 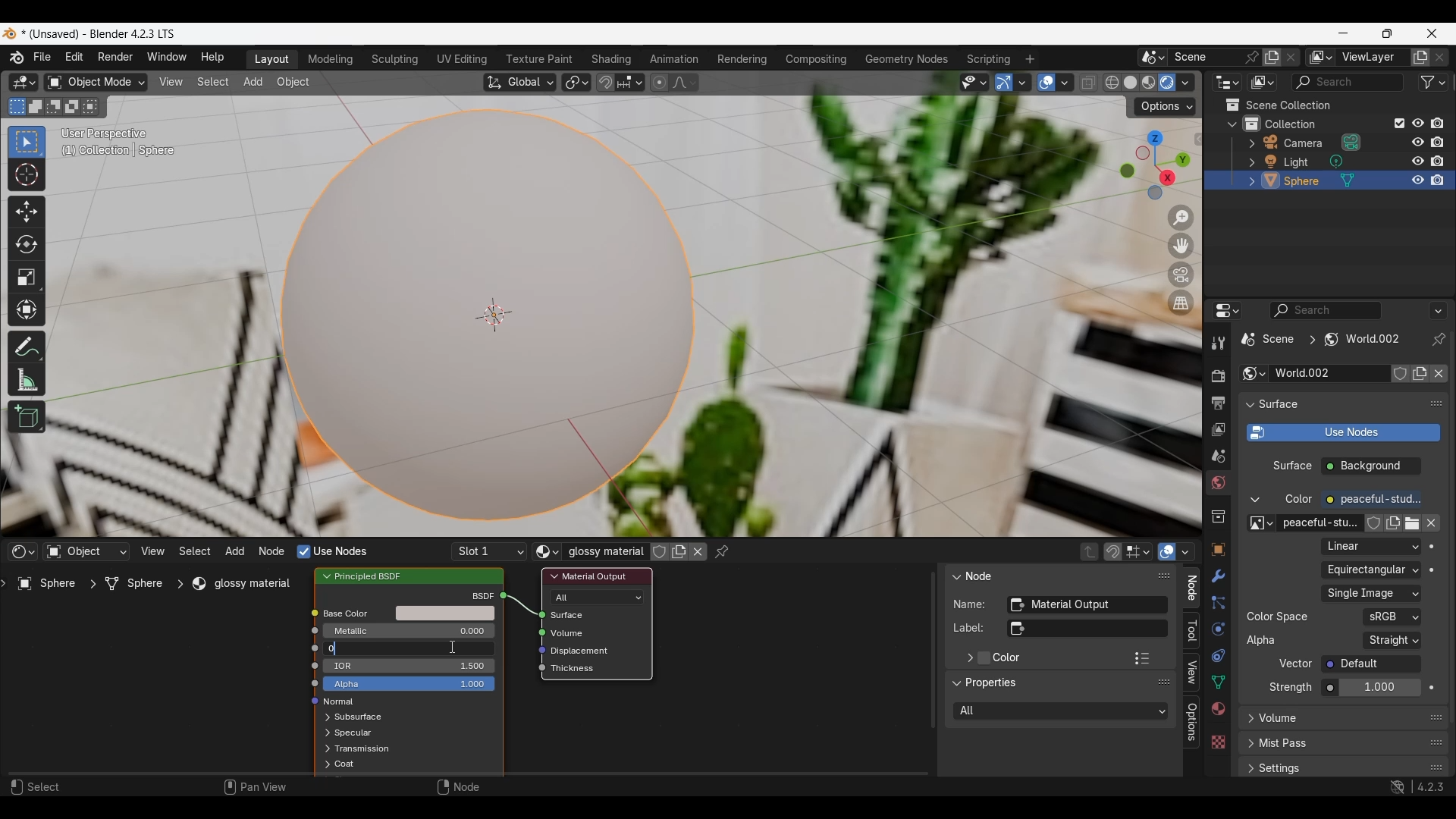 What do you see at coordinates (1216, 403) in the screenshot?
I see `Output properties` at bounding box center [1216, 403].